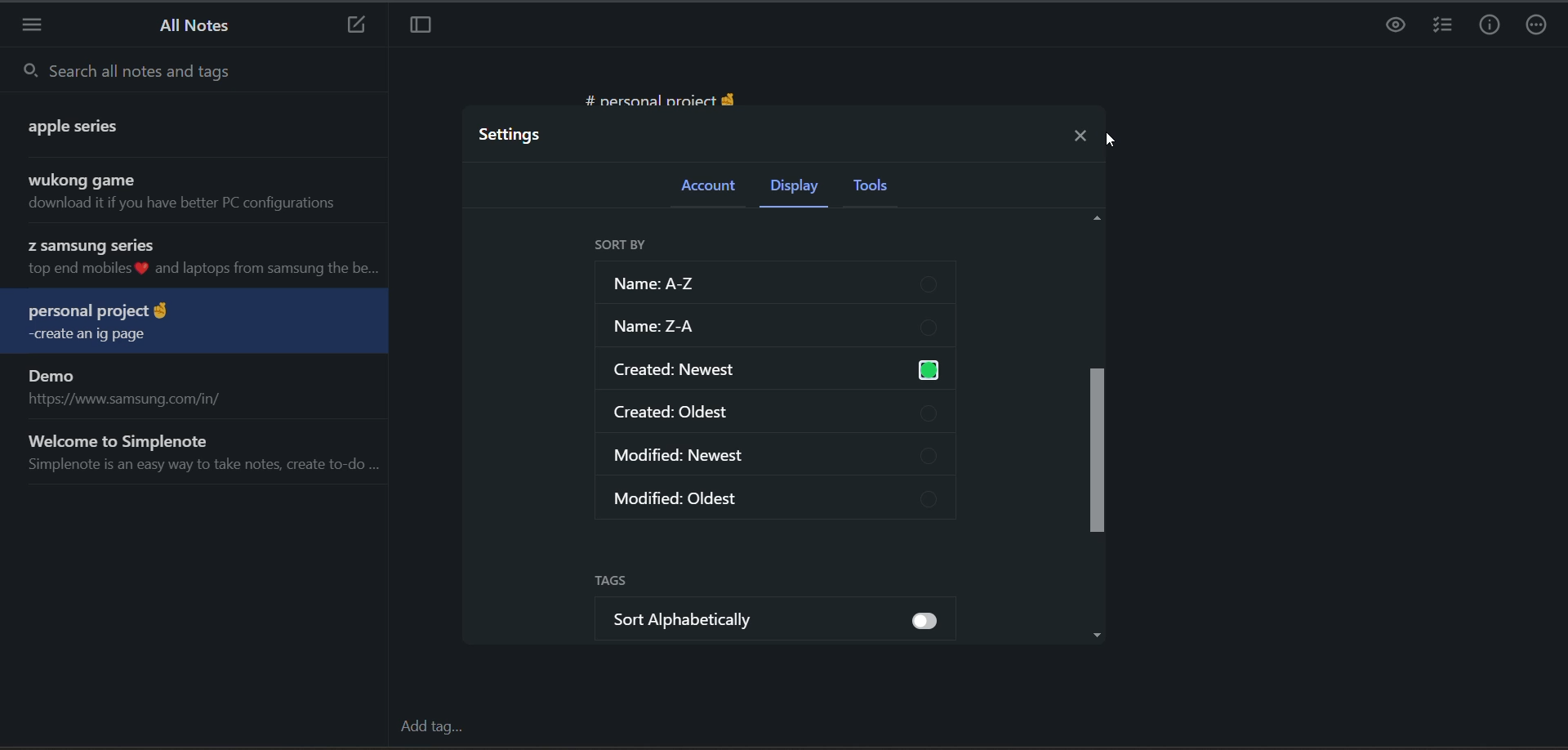 The height and width of the screenshot is (750, 1568). What do you see at coordinates (1443, 26) in the screenshot?
I see `insert checklist` at bounding box center [1443, 26].